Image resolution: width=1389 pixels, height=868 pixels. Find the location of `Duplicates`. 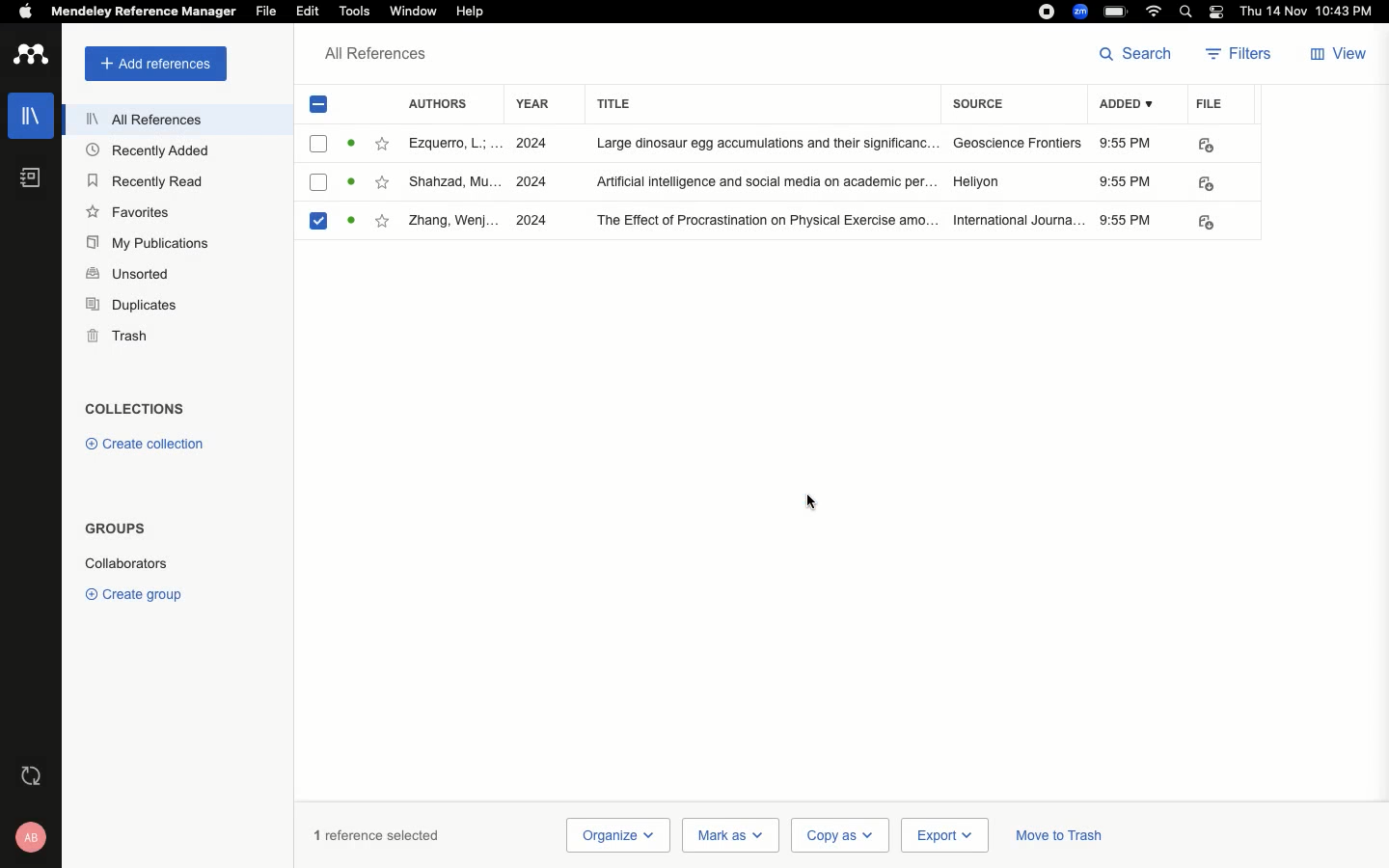

Duplicates is located at coordinates (133, 307).